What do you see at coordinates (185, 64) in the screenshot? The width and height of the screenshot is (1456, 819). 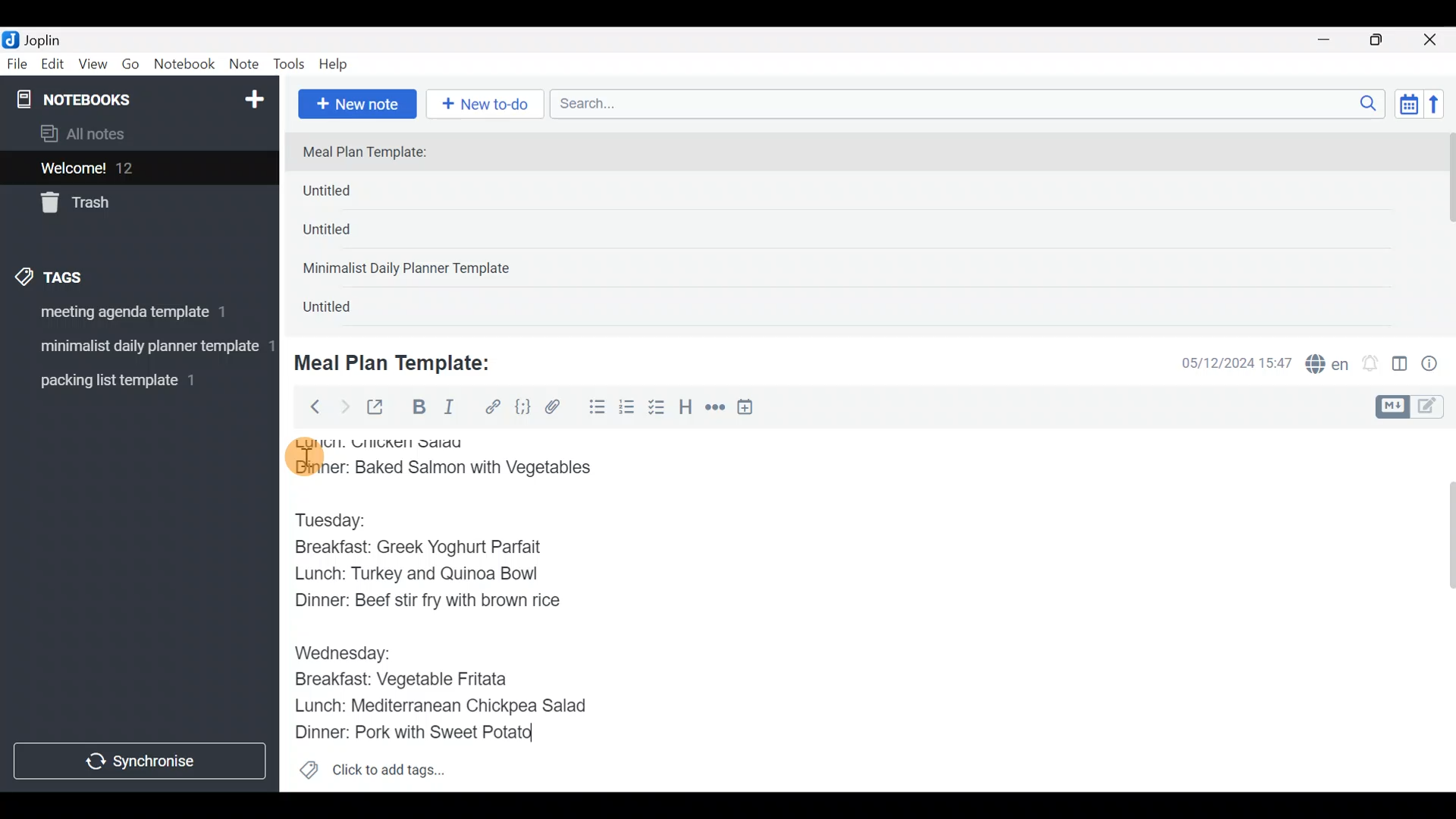 I see `Notebook` at bounding box center [185, 64].